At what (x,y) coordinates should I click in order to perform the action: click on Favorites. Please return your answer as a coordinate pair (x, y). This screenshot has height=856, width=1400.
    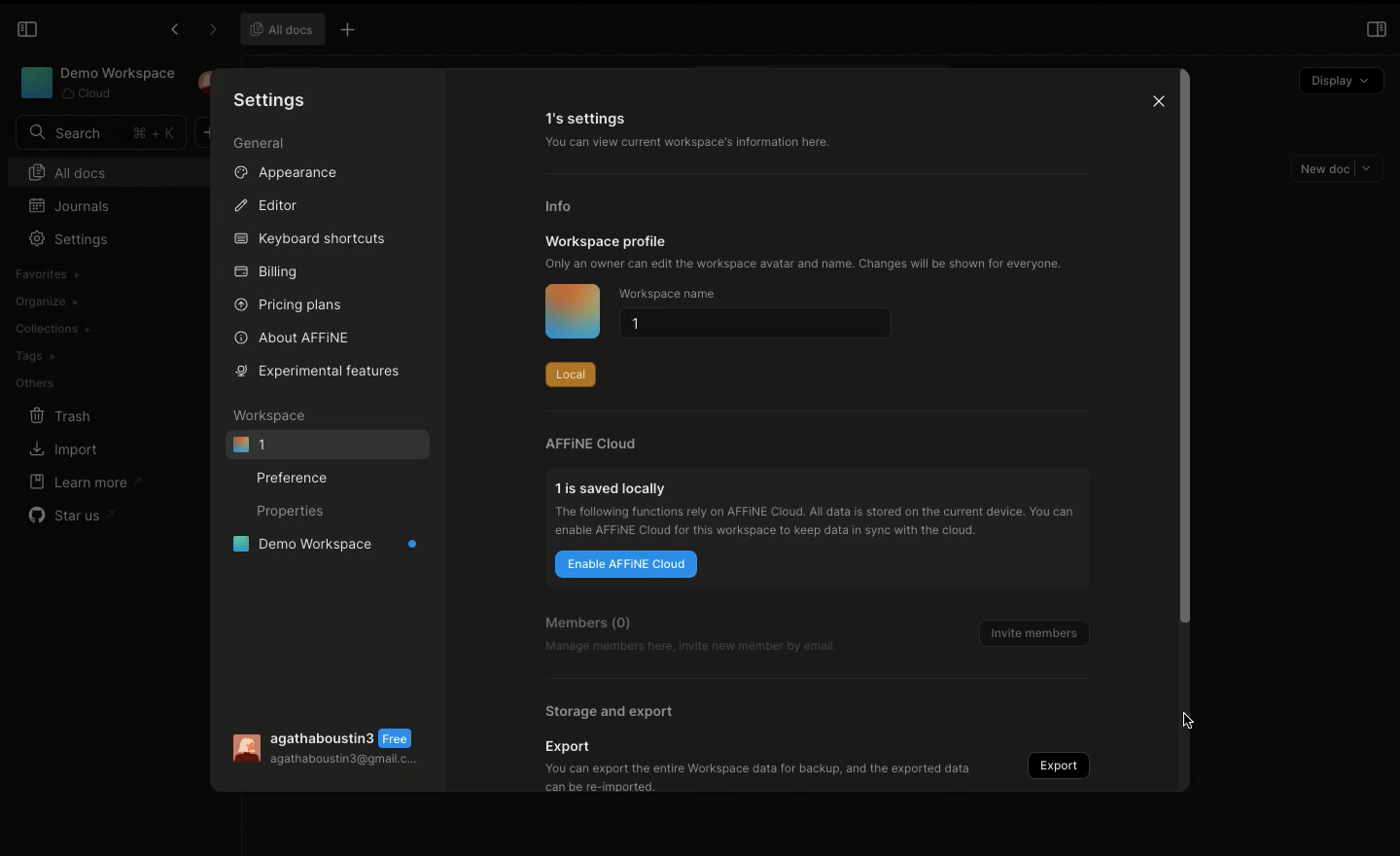
    Looking at the image, I should click on (46, 274).